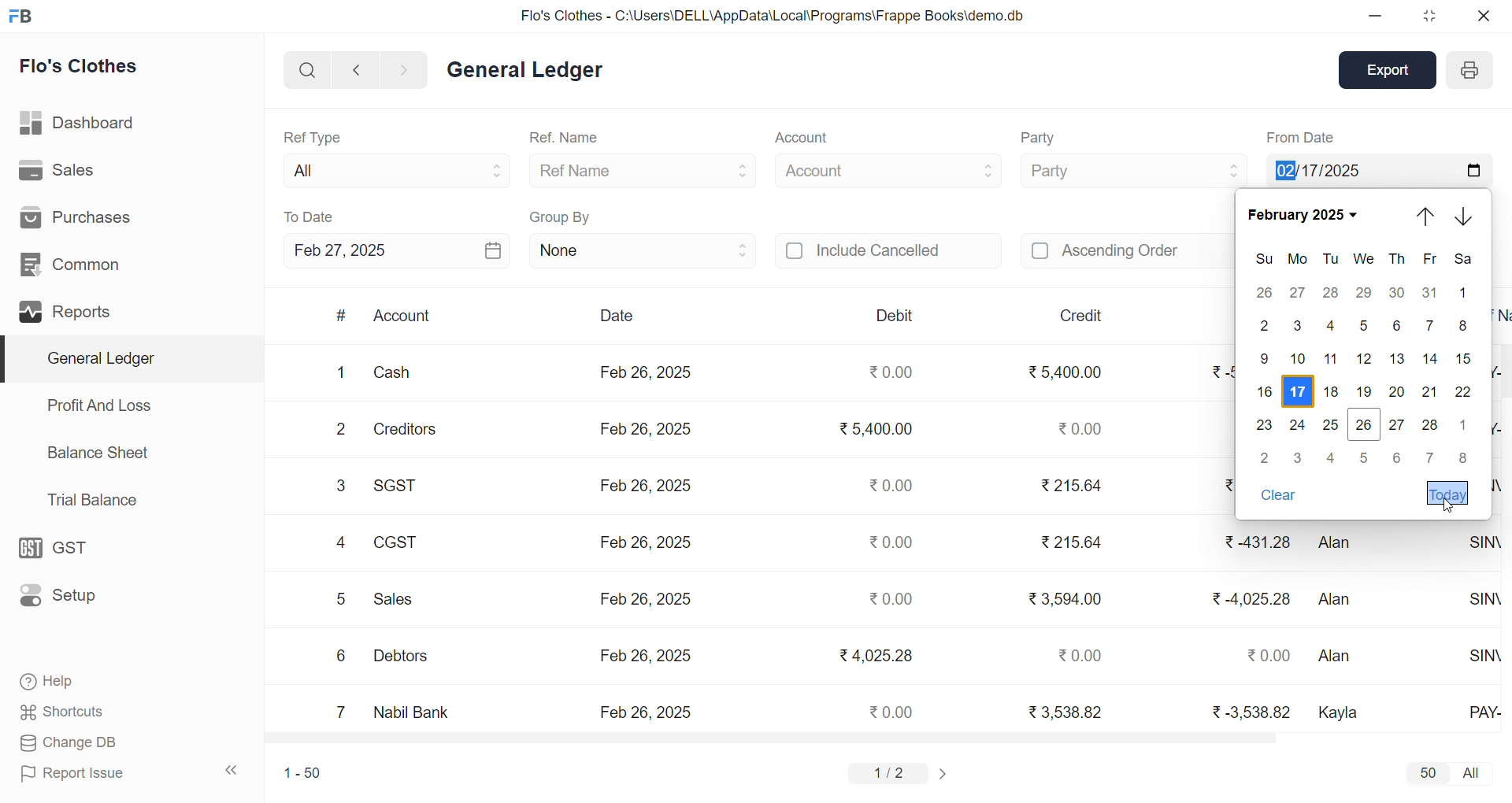 This screenshot has height=803, width=1512. I want to click on 26, so click(1361, 426).